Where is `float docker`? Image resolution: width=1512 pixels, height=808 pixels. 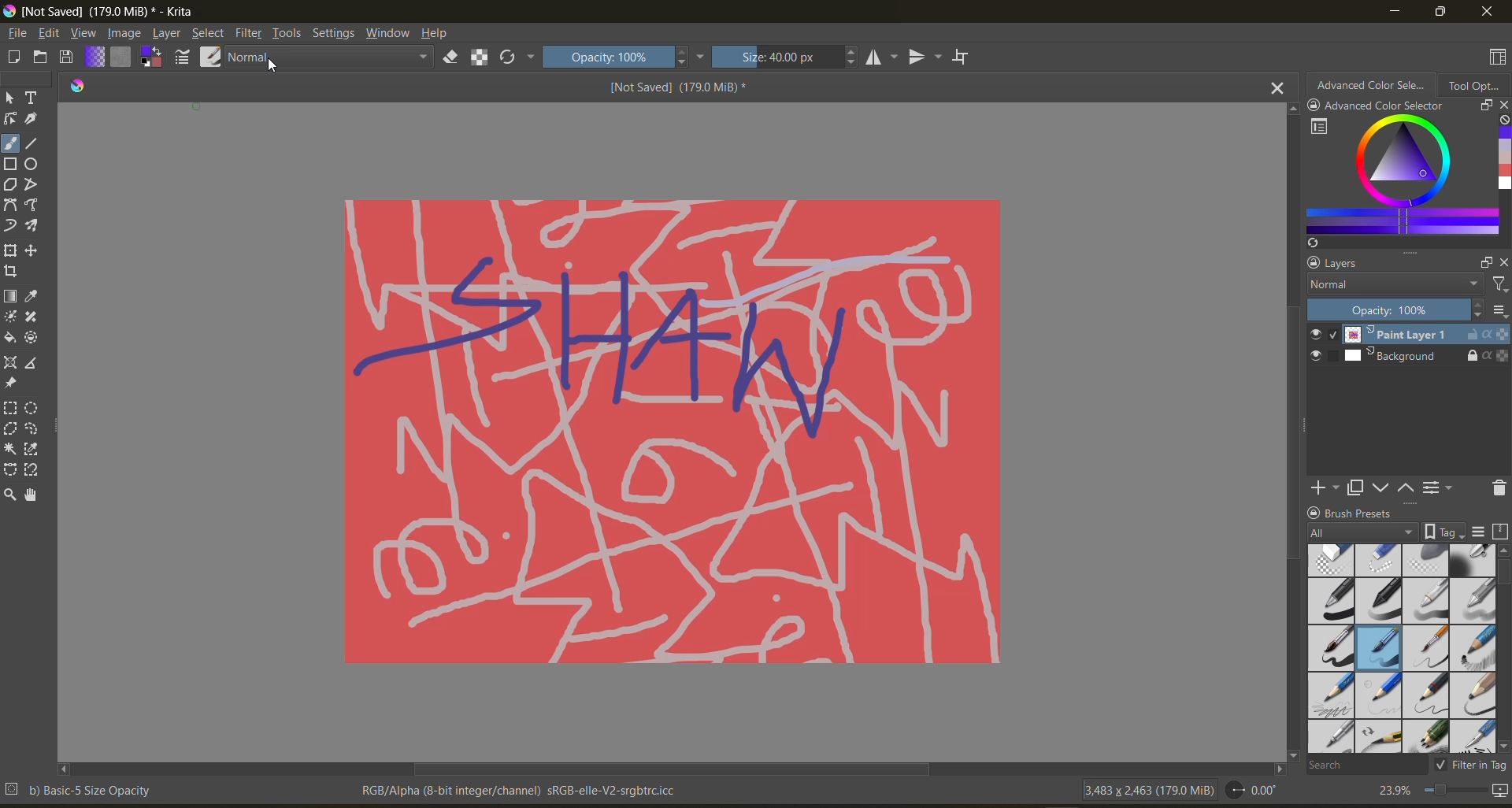
float docker is located at coordinates (1482, 106).